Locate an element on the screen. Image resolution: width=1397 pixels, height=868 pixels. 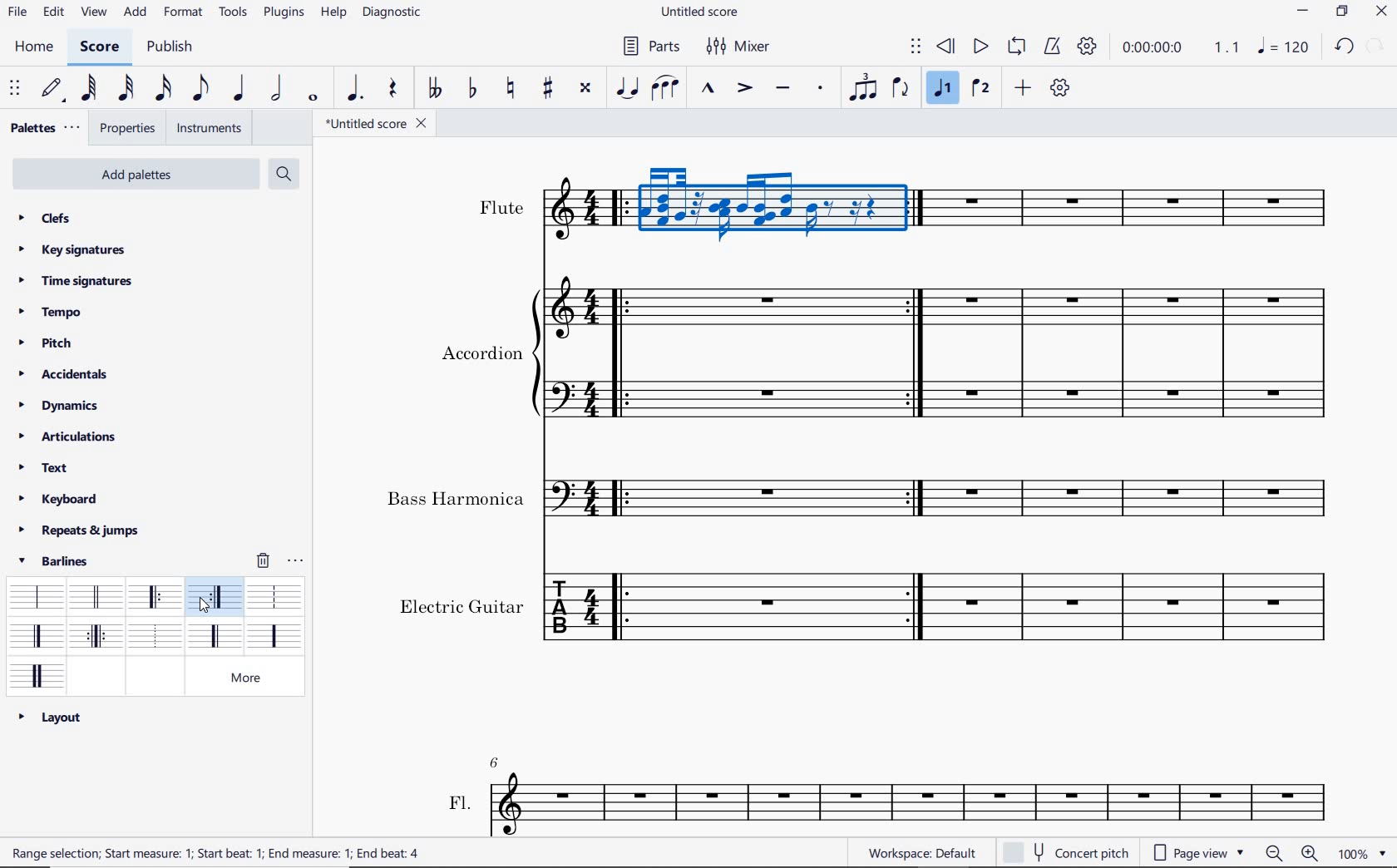
diagnostic is located at coordinates (393, 15).